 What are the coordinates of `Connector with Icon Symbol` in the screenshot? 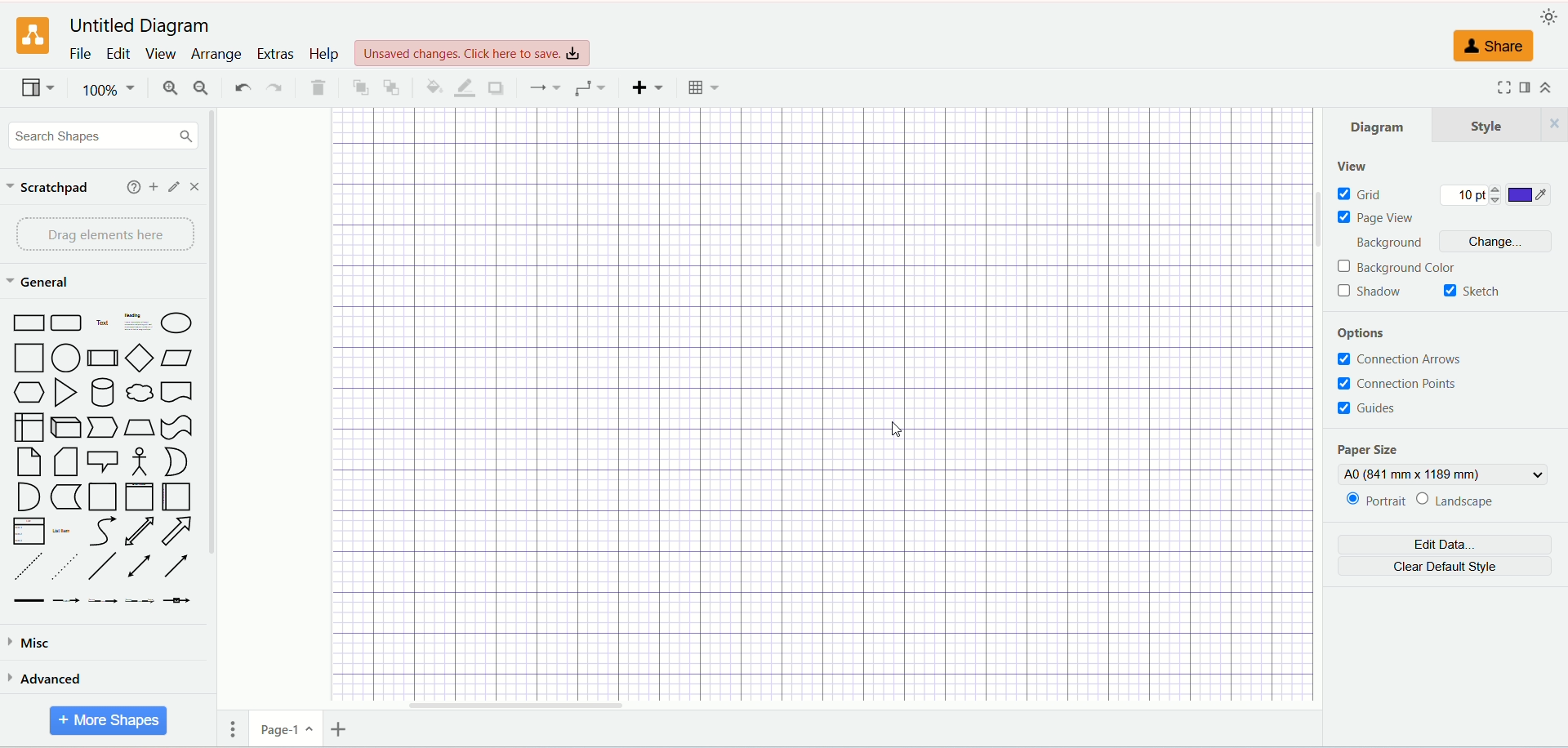 It's located at (178, 602).